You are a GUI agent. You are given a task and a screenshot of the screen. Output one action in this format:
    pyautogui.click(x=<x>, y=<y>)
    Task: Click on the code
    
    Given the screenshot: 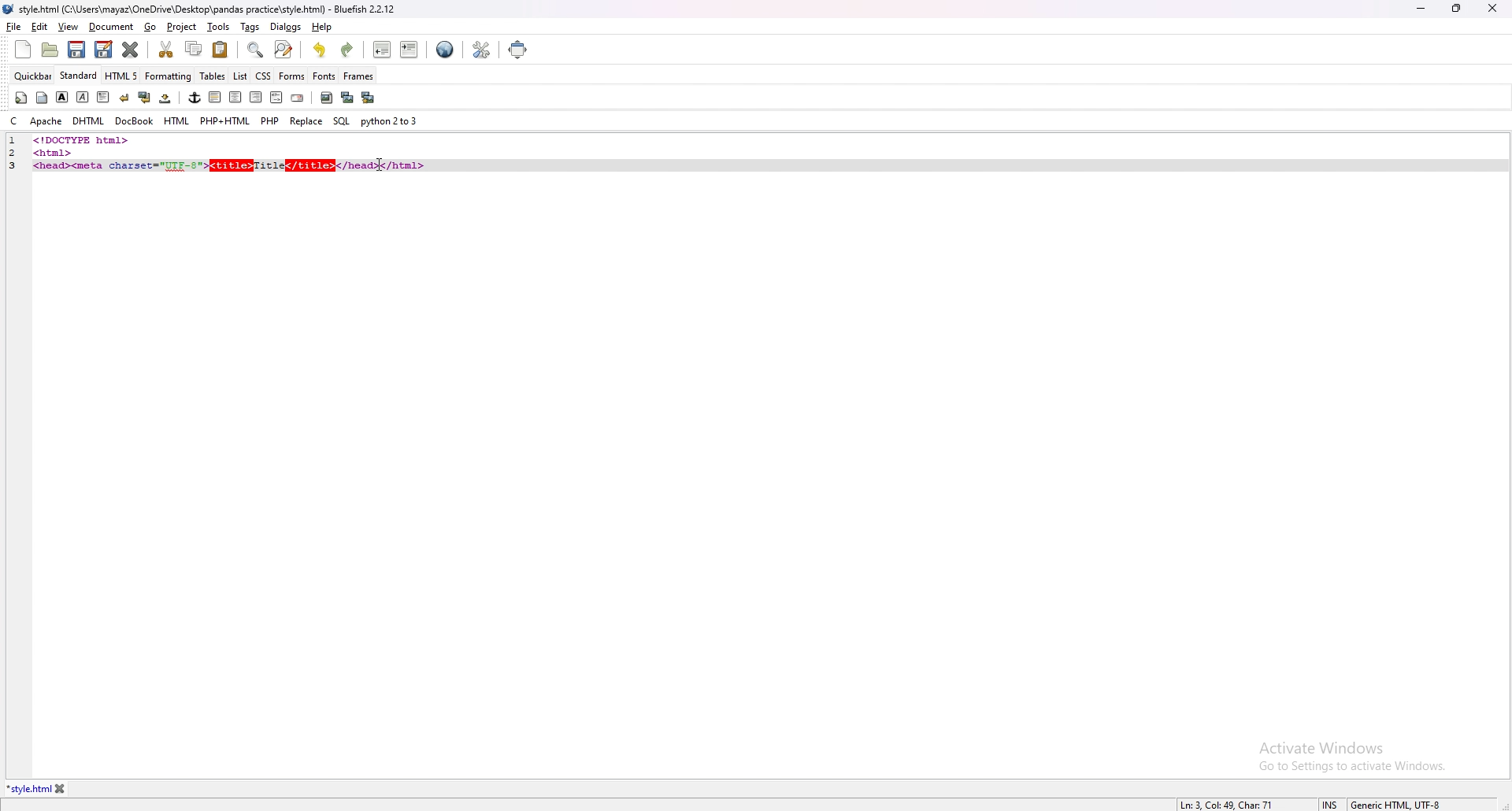 What is the action you would take?
    pyautogui.click(x=230, y=161)
    